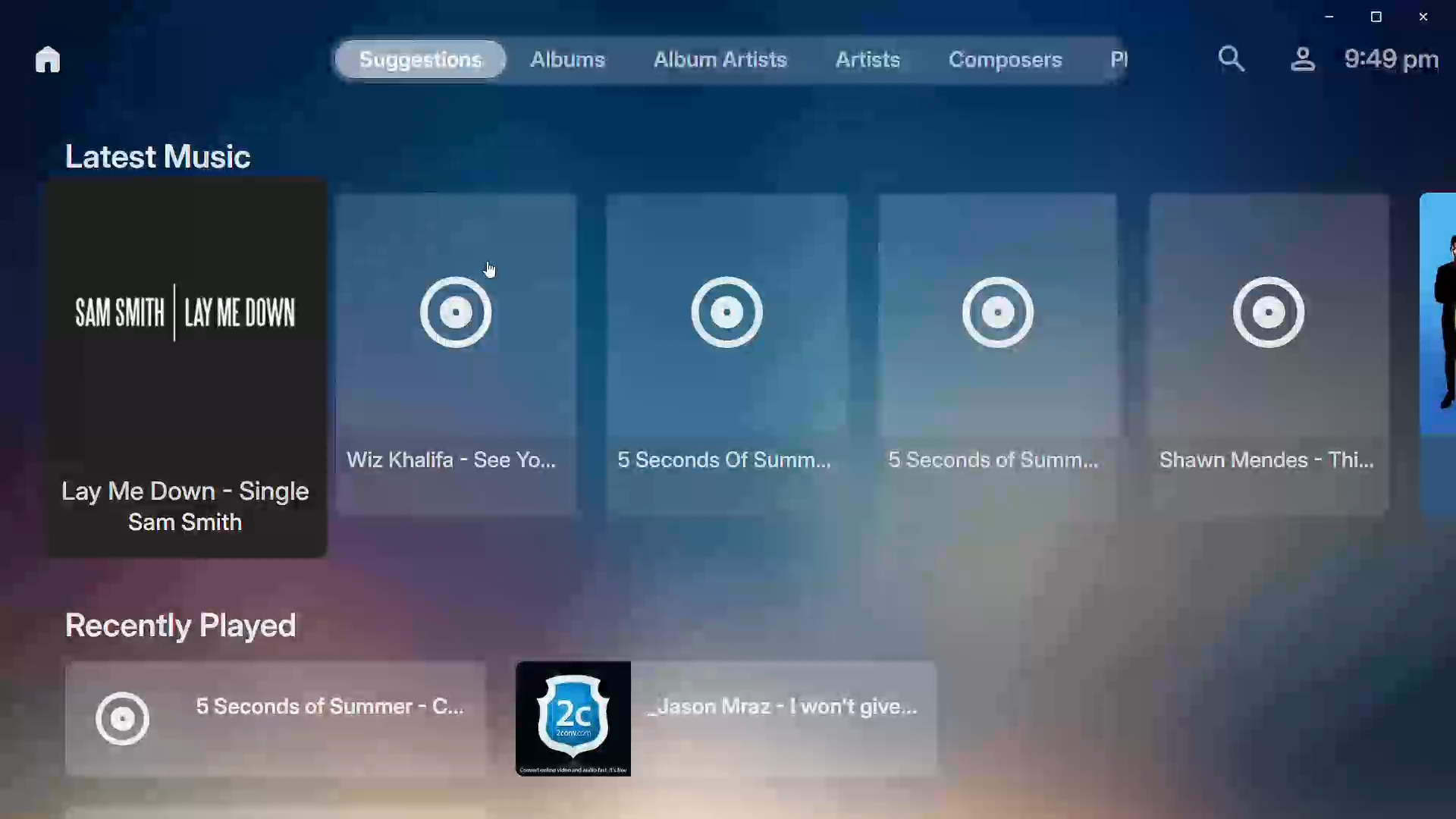  What do you see at coordinates (1322, 17) in the screenshot?
I see `Minimize` at bounding box center [1322, 17].